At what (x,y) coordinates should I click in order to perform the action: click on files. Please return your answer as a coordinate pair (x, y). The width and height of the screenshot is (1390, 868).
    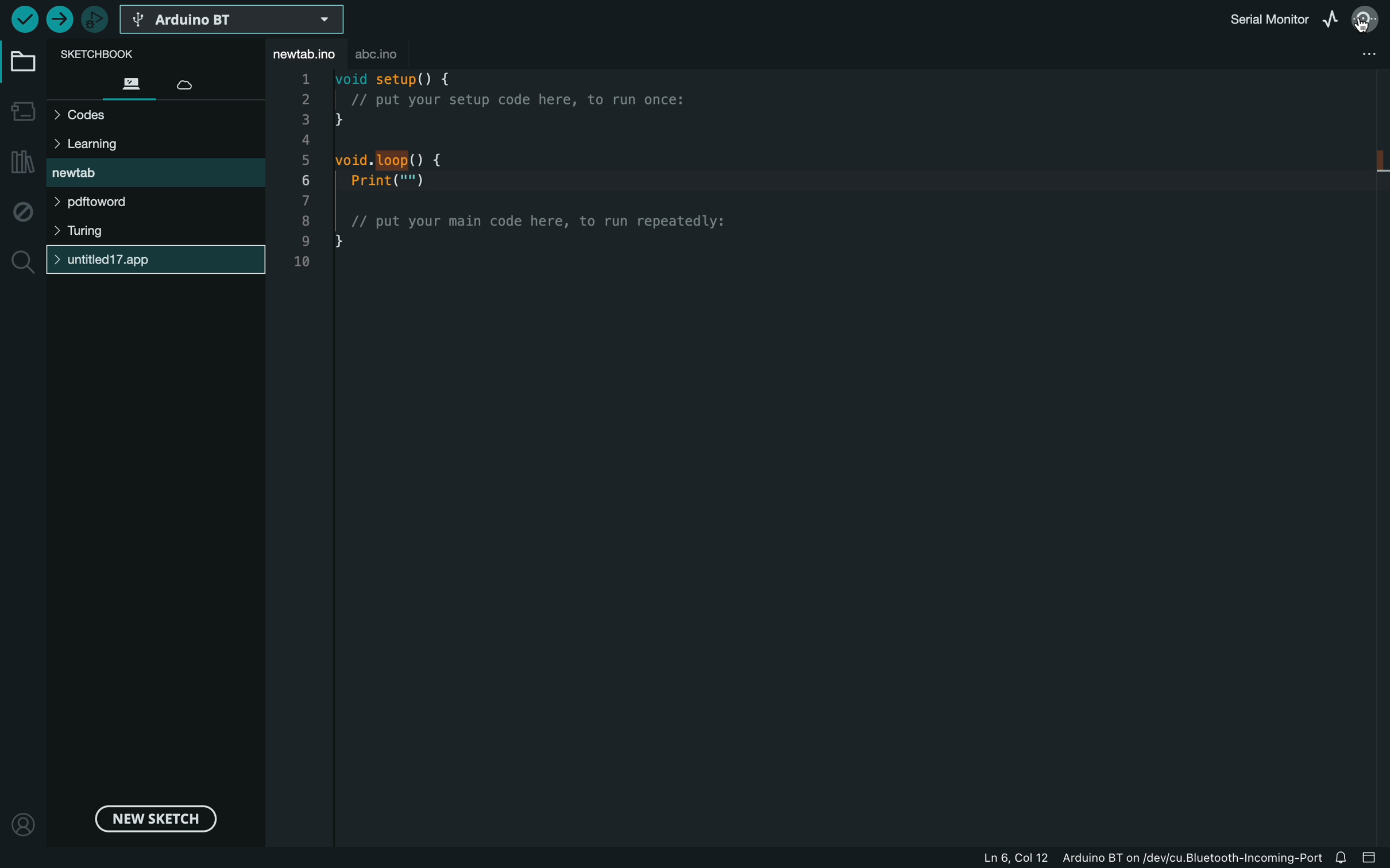
    Looking at the image, I should click on (130, 84).